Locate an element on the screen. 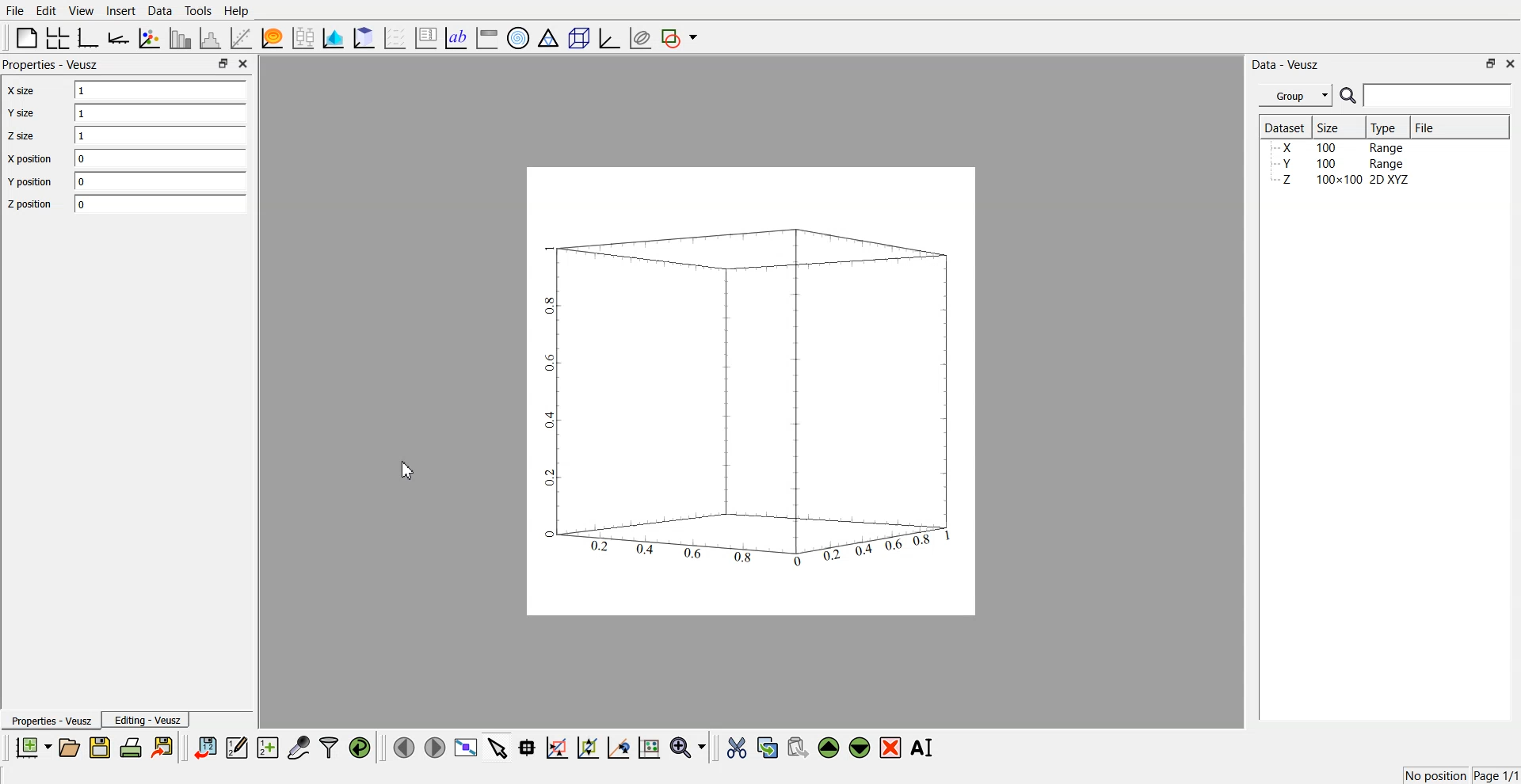 The image size is (1521, 784). Data is located at coordinates (162, 11).